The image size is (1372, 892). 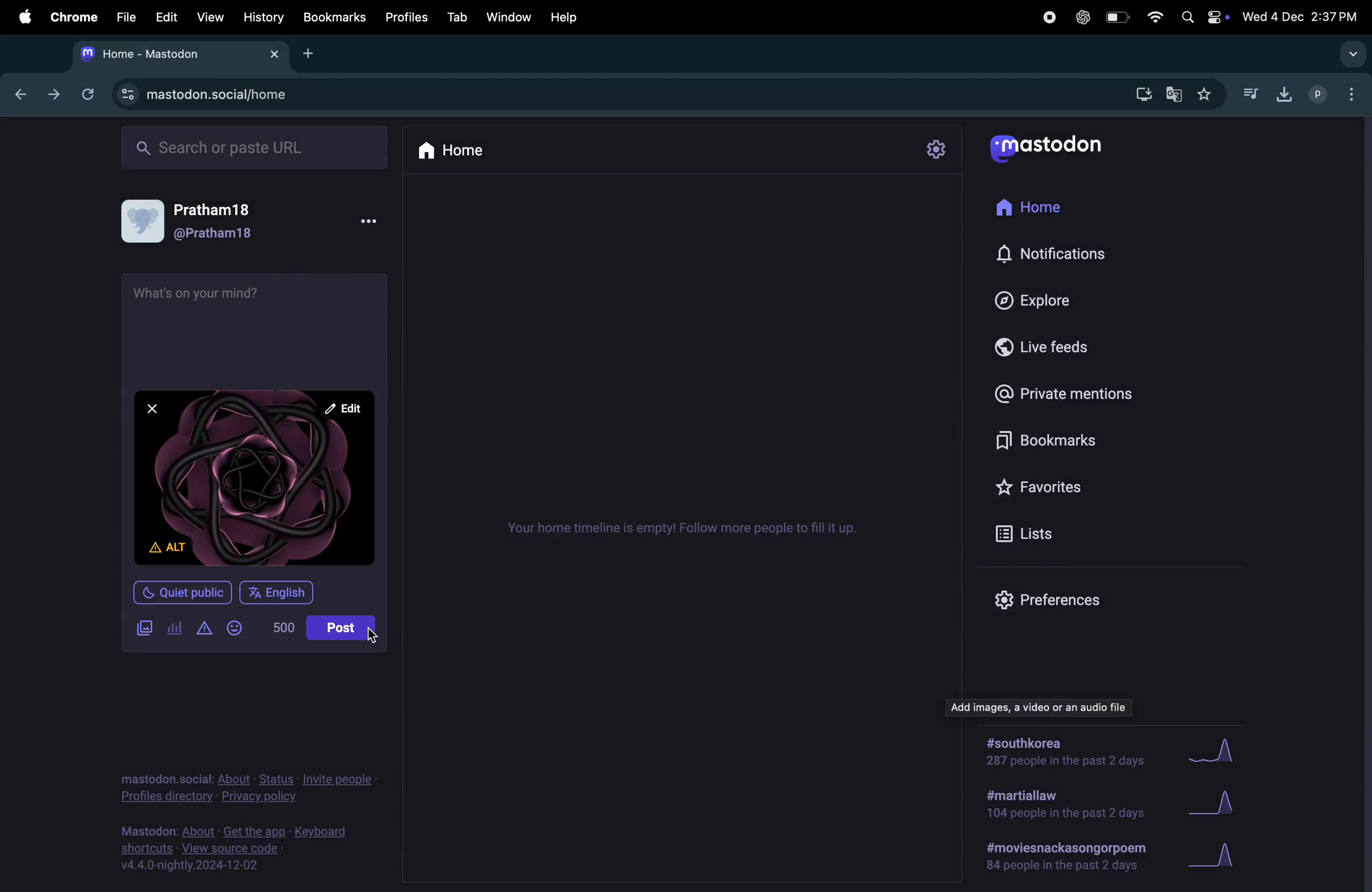 What do you see at coordinates (203, 630) in the screenshot?
I see `alerts` at bounding box center [203, 630].